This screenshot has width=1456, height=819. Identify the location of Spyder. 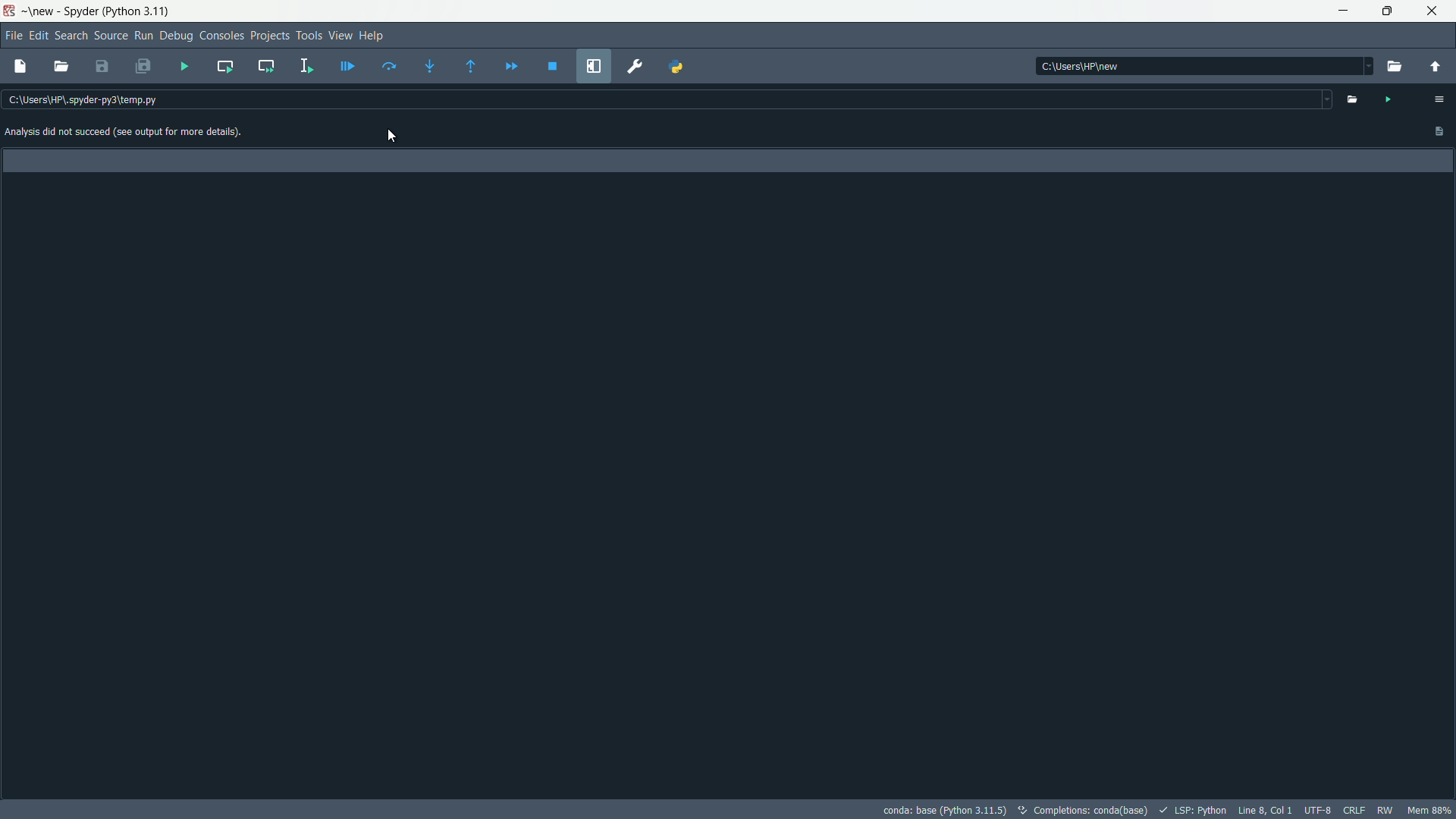
(79, 11).